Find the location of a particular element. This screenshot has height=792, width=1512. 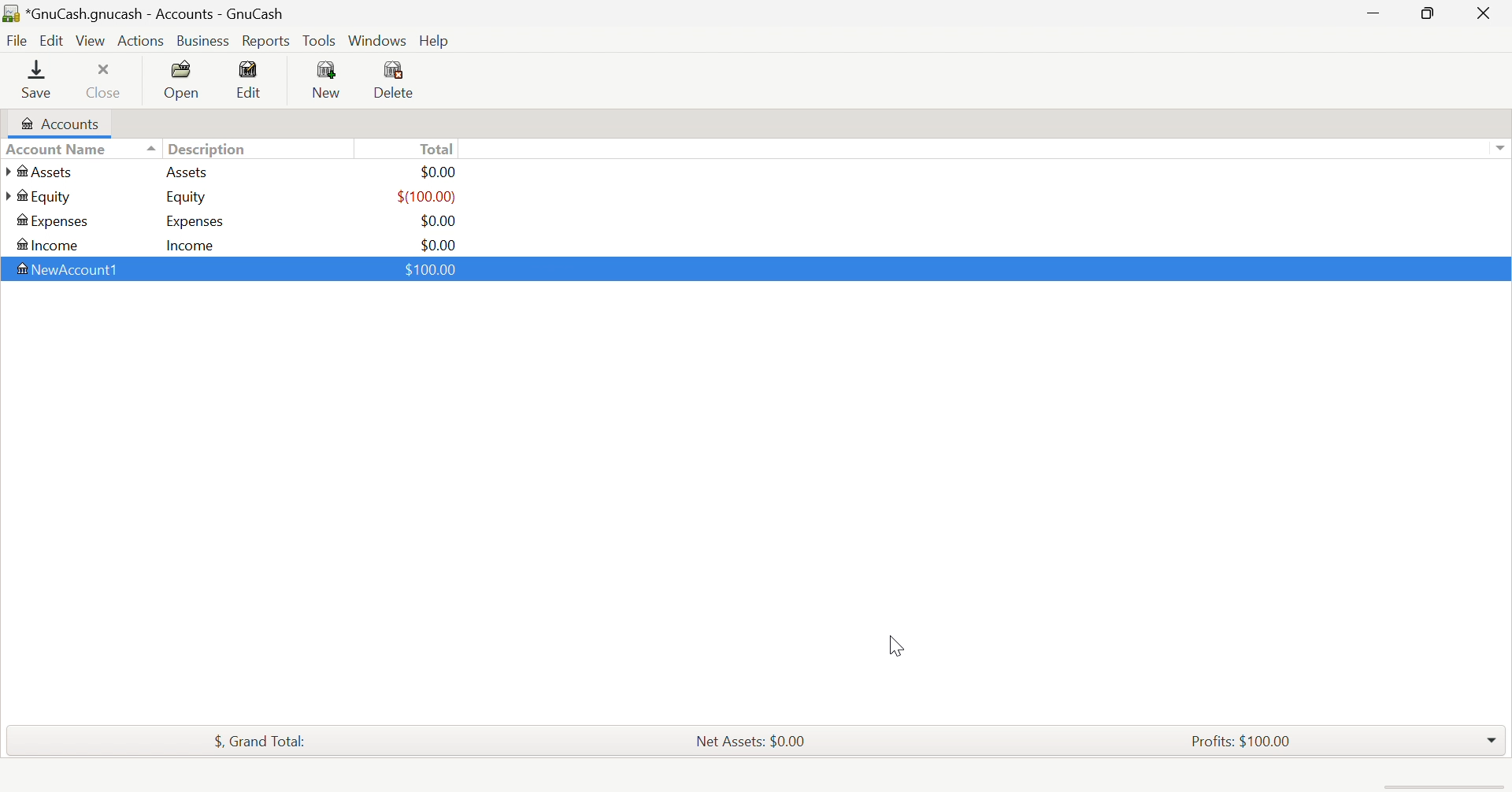

Income is located at coordinates (196, 244).